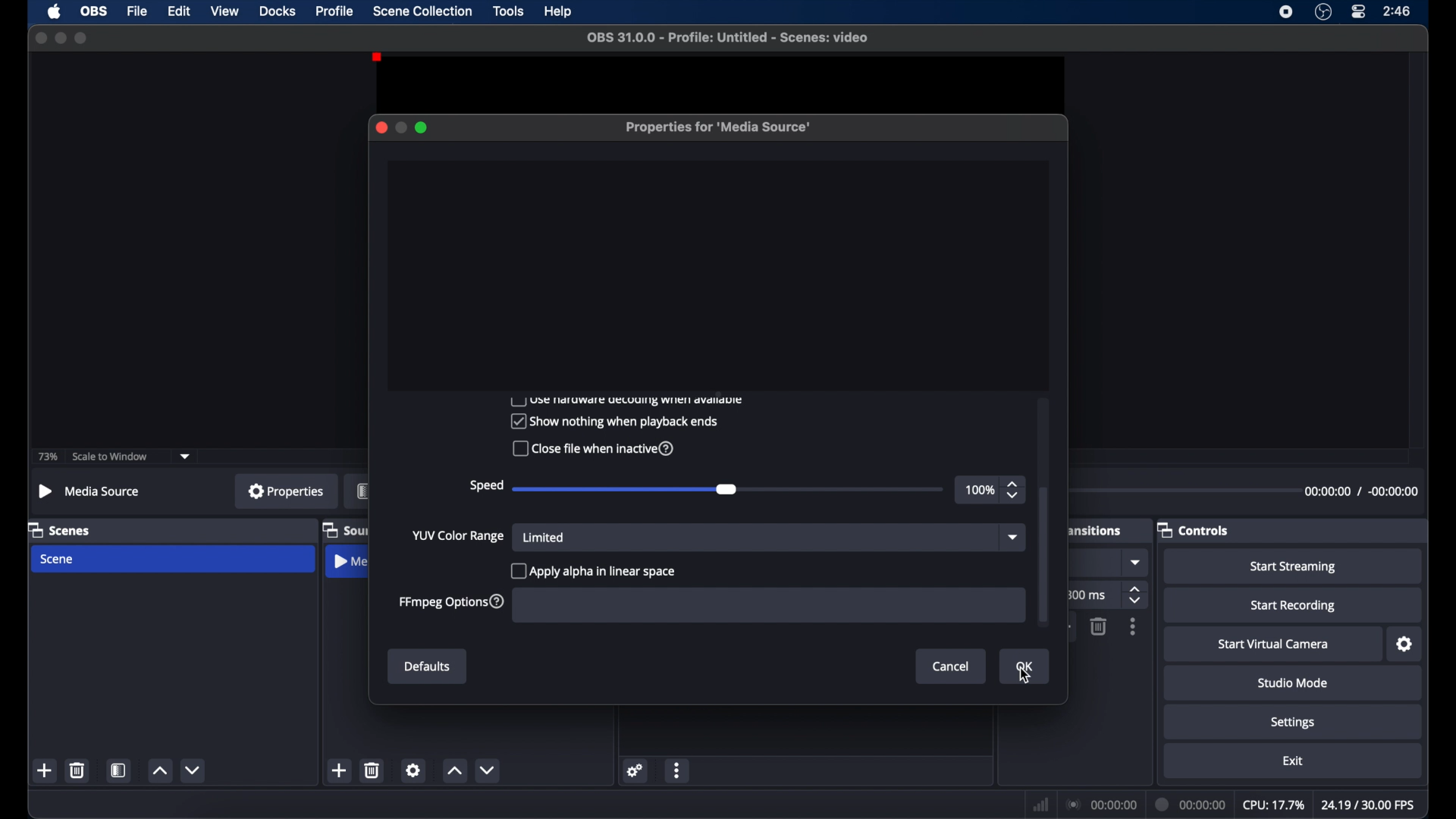  What do you see at coordinates (1294, 567) in the screenshot?
I see `start streaming` at bounding box center [1294, 567].